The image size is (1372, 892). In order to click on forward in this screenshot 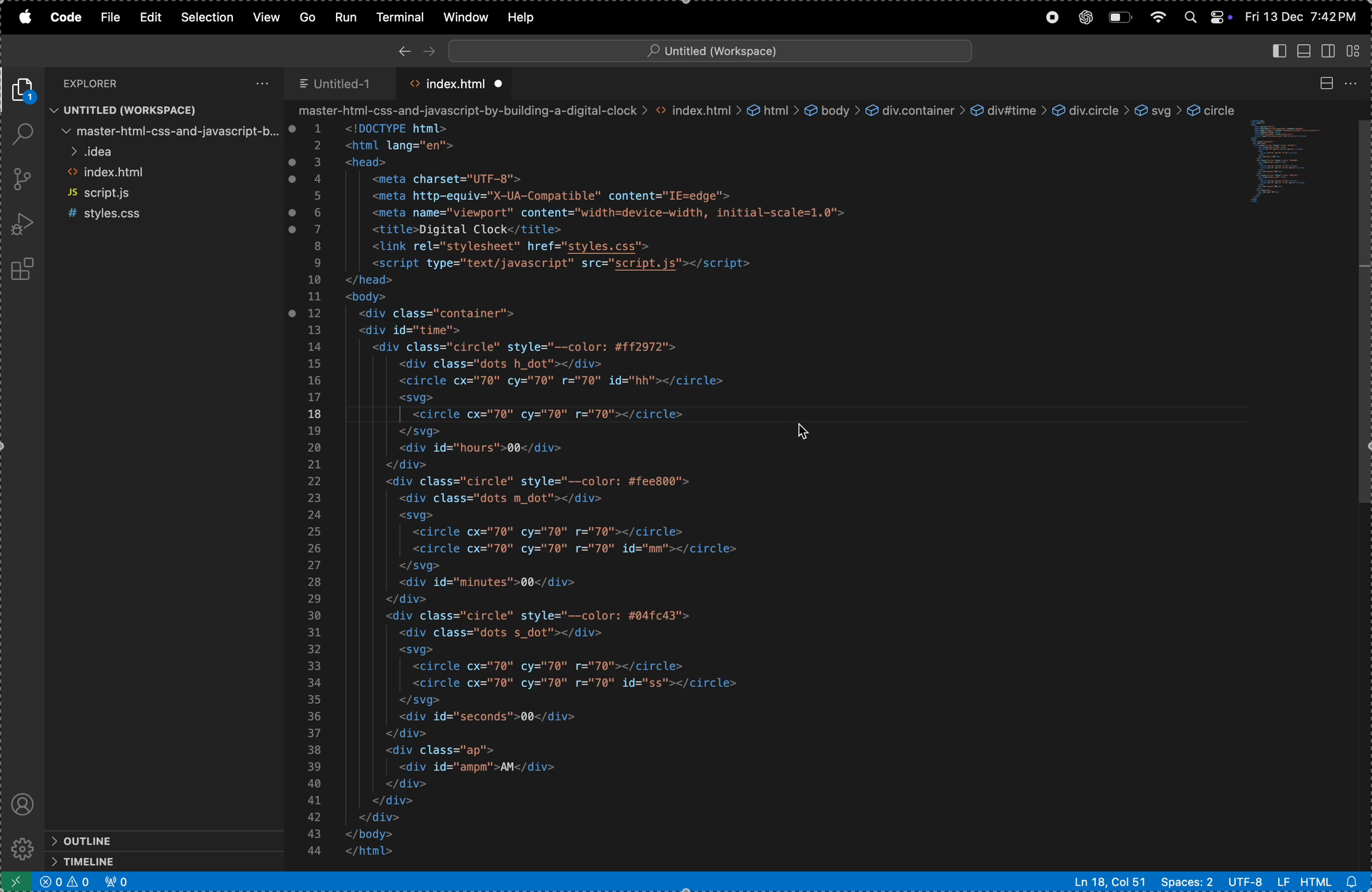, I will do `click(427, 48)`.